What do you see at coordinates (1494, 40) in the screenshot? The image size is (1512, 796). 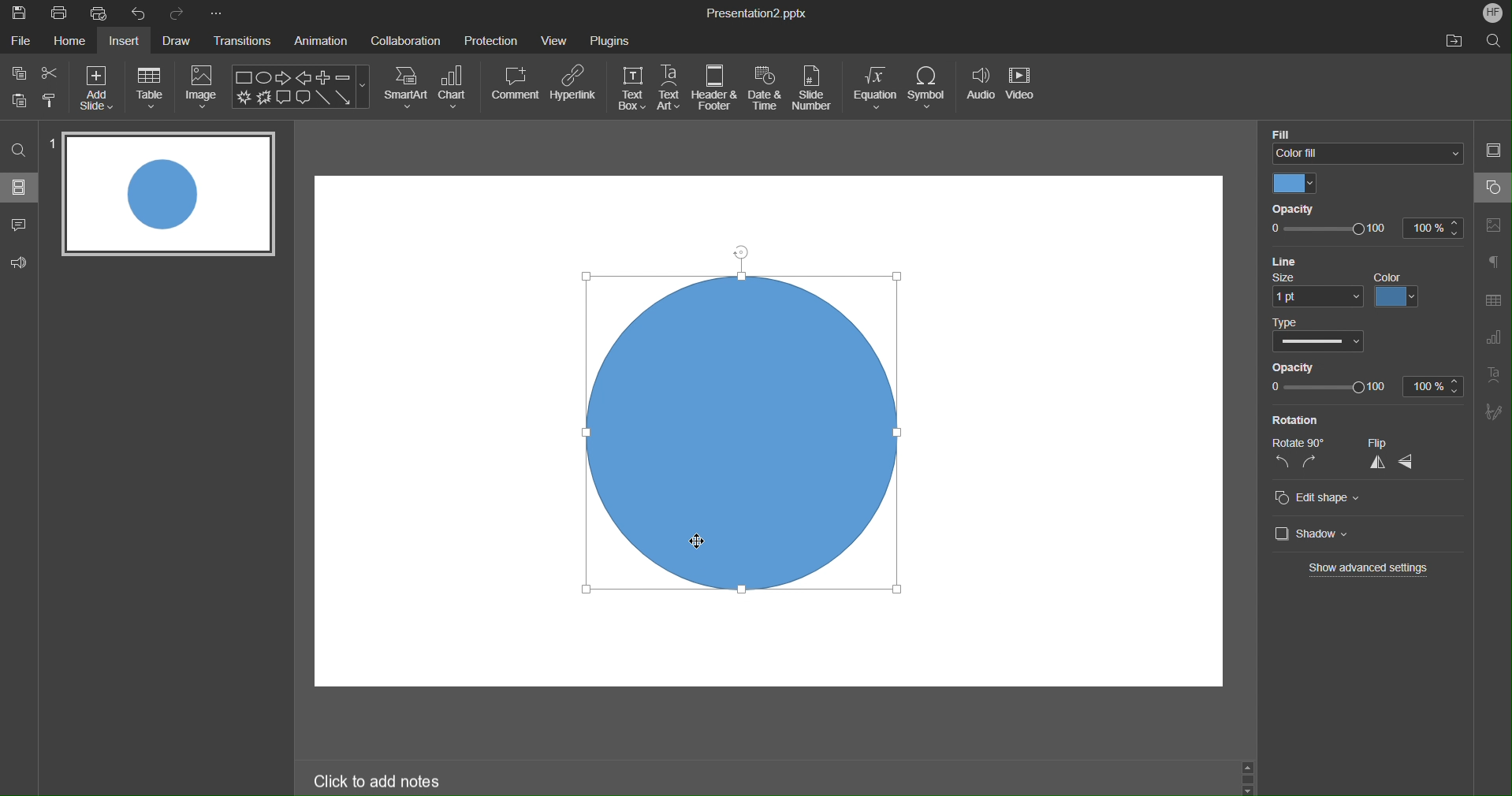 I see `Search` at bounding box center [1494, 40].